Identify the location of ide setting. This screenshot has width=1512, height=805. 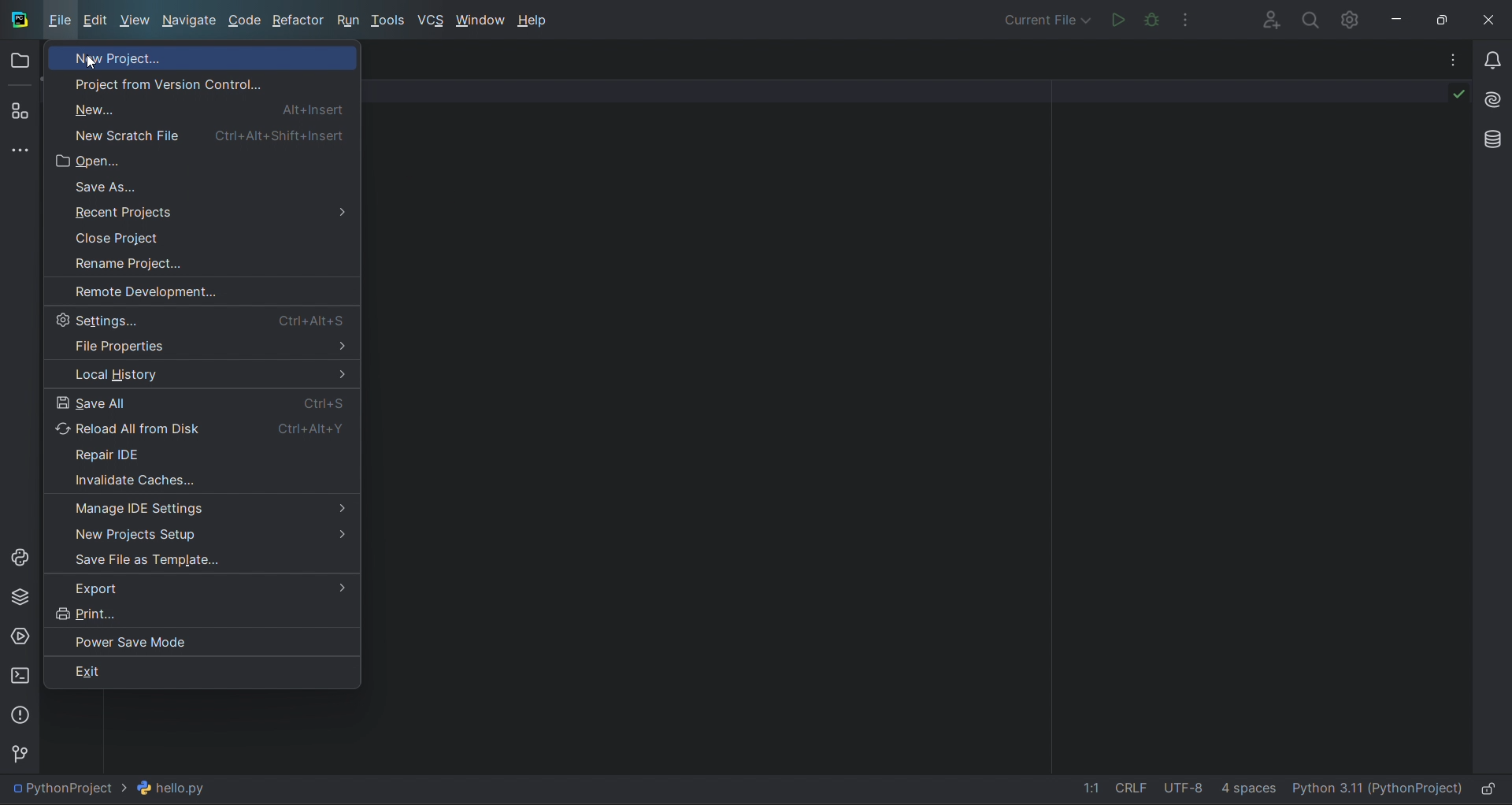
(202, 506).